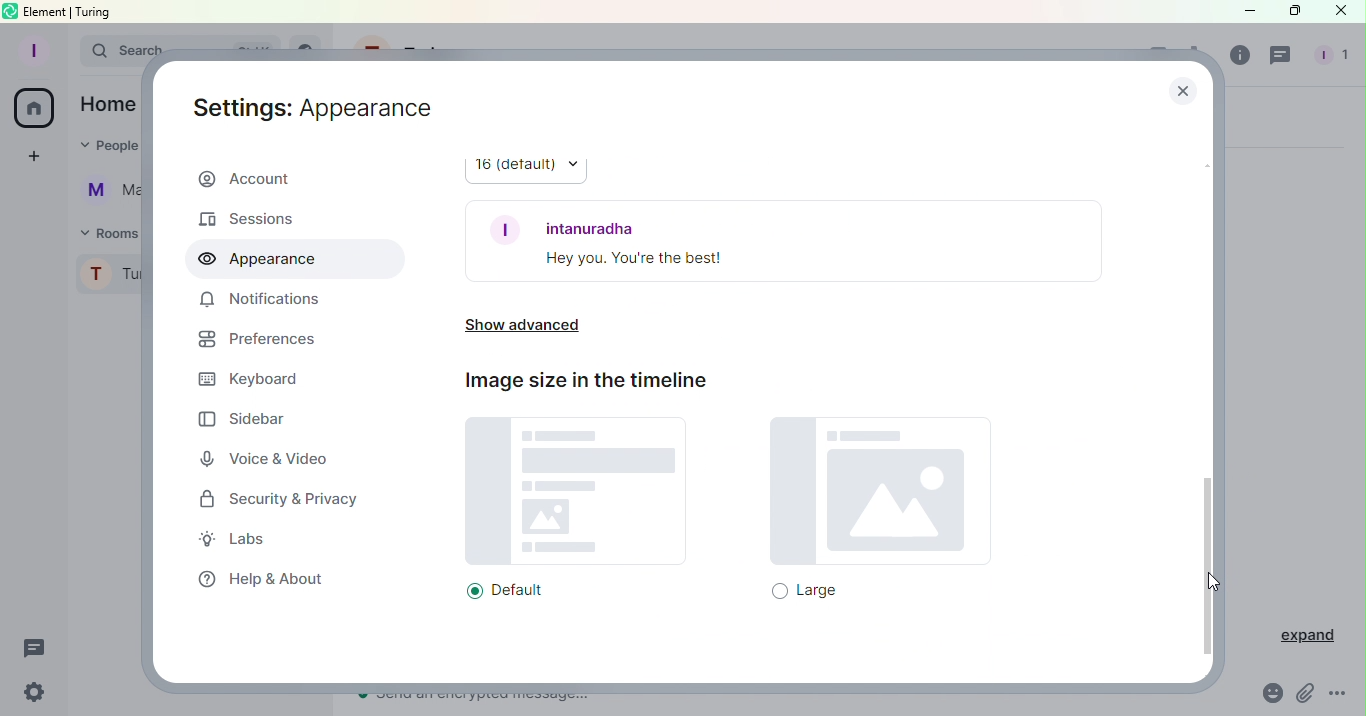 The height and width of the screenshot is (716, 1366). Describe the element at coordinates (786, 238) in the screenshot. I see `Font example` at that location.